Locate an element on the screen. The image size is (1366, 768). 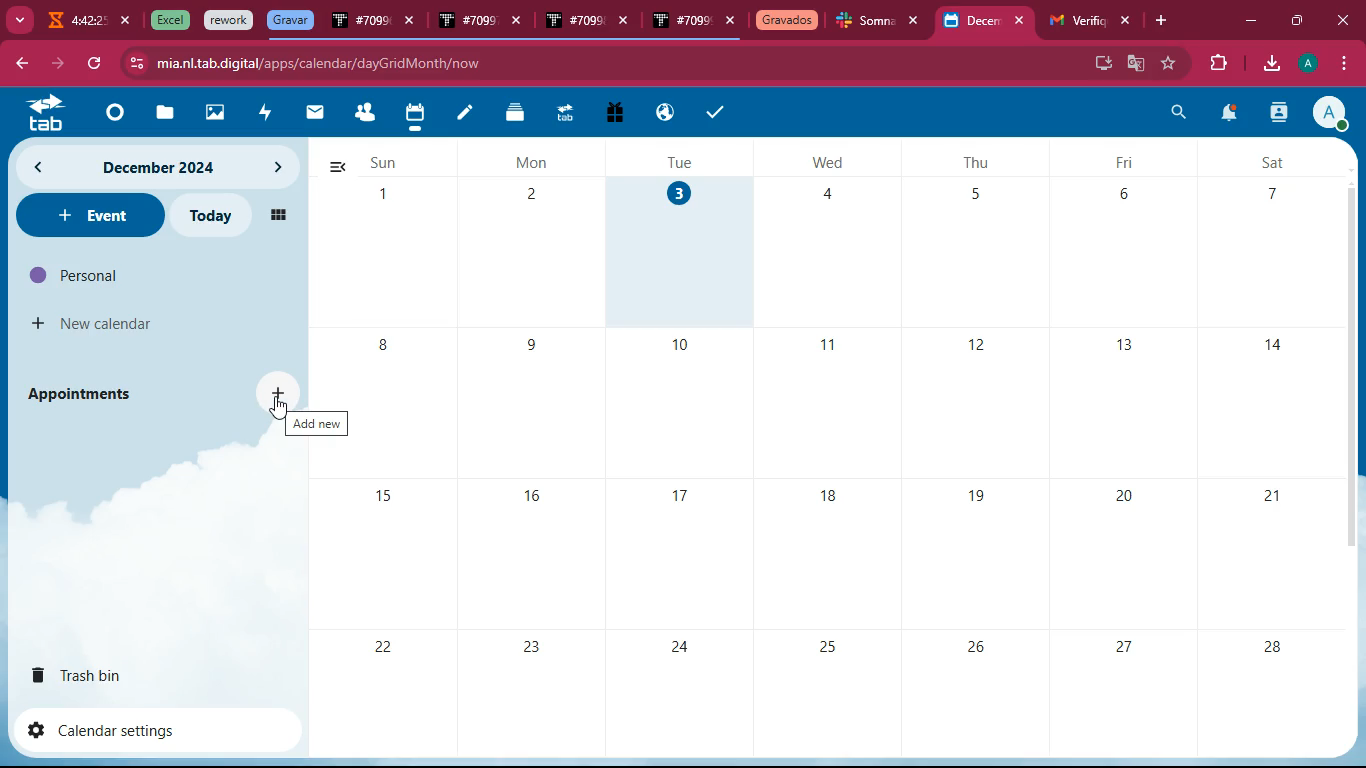
download is located at coordinates (1270, 65).